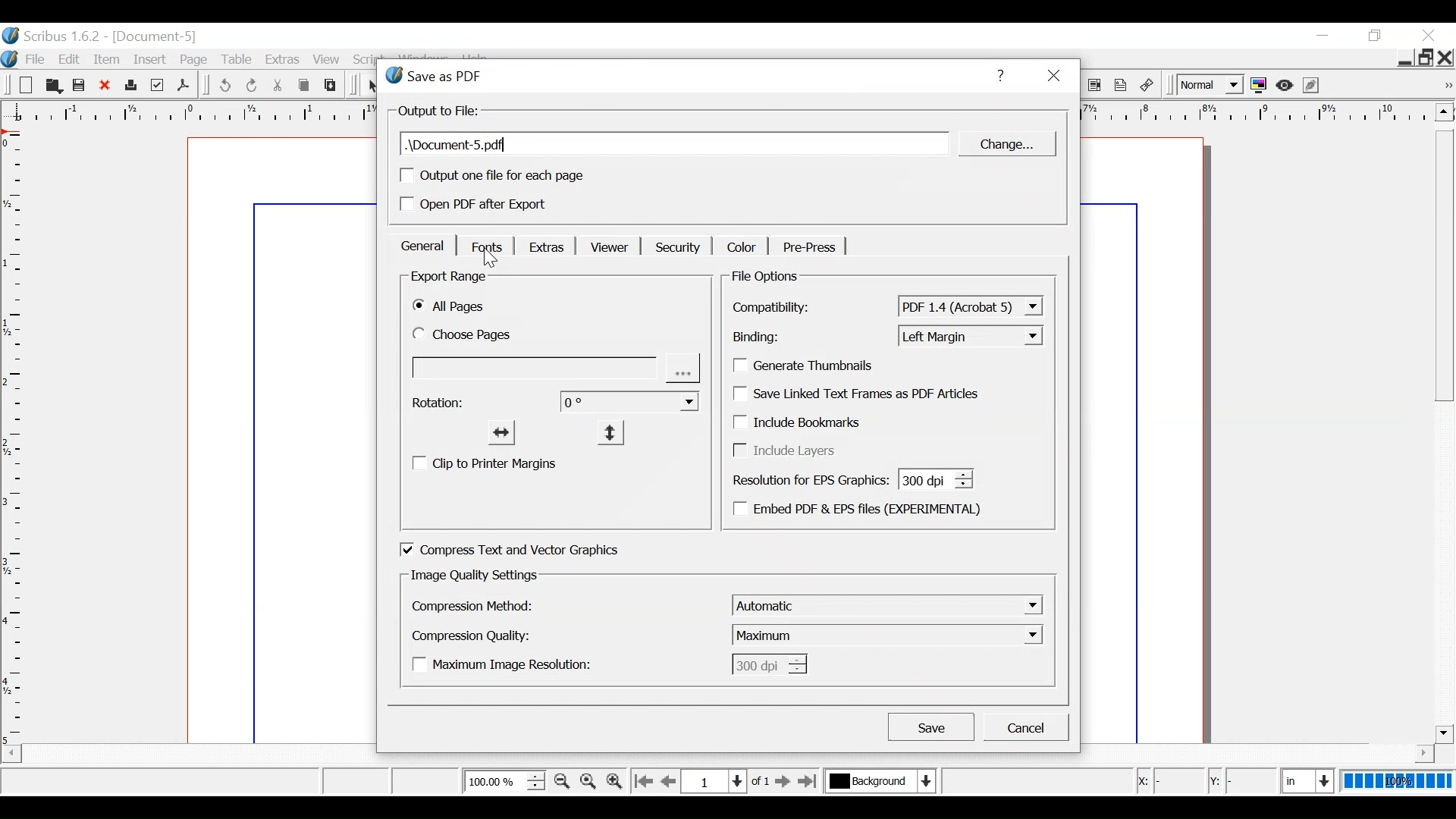 The height and width of the screenshot is (819, 1456). Describe the element at coordinates (1053, 77) in the screenshot. I see `Close` at that location.